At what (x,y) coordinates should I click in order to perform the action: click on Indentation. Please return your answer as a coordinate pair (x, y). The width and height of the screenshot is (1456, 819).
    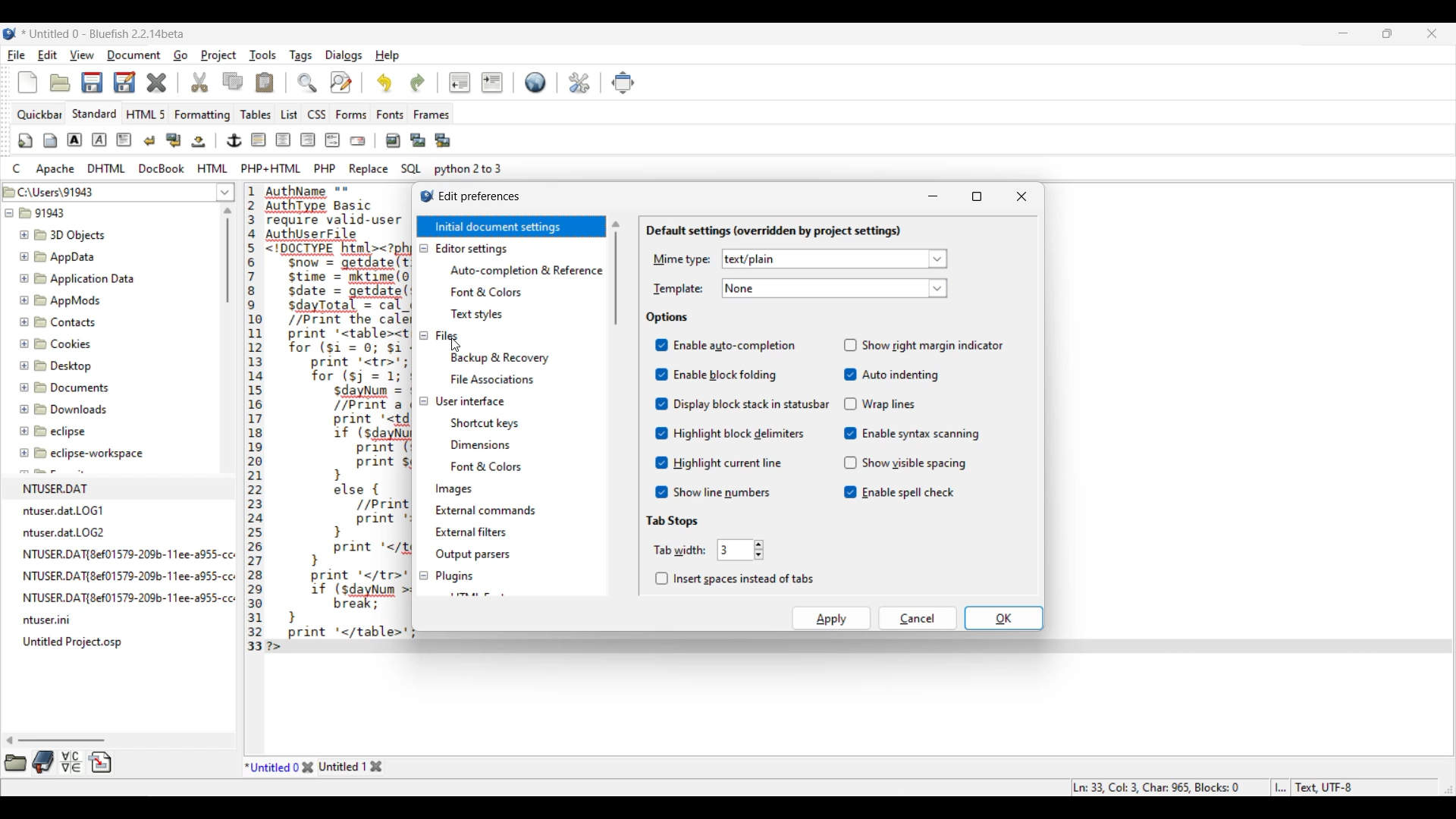
    Looking at the image, I should click on (476, 82).